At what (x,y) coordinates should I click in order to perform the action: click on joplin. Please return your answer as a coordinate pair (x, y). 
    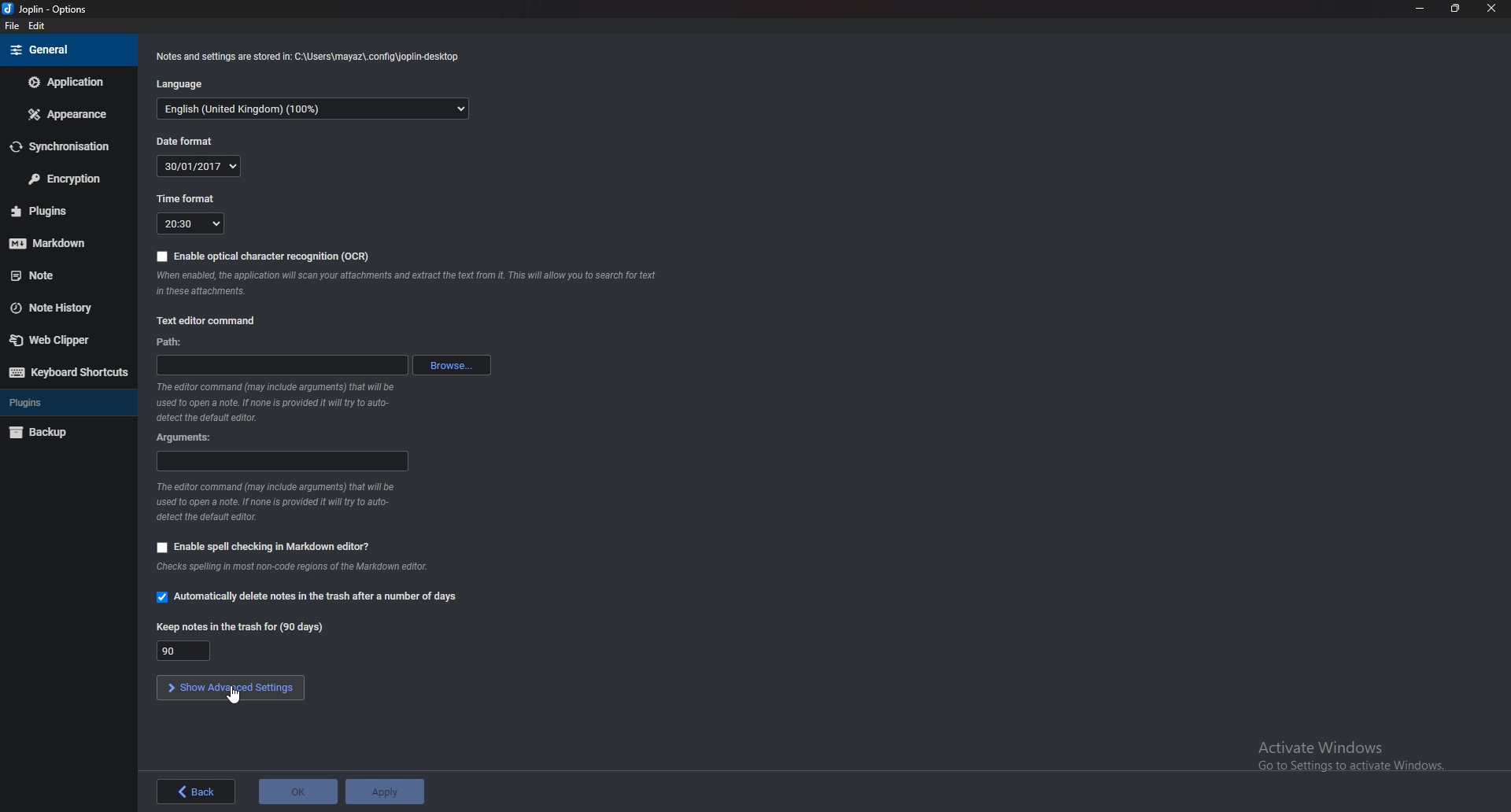
    Looking at the image, I should click on (48, 9).